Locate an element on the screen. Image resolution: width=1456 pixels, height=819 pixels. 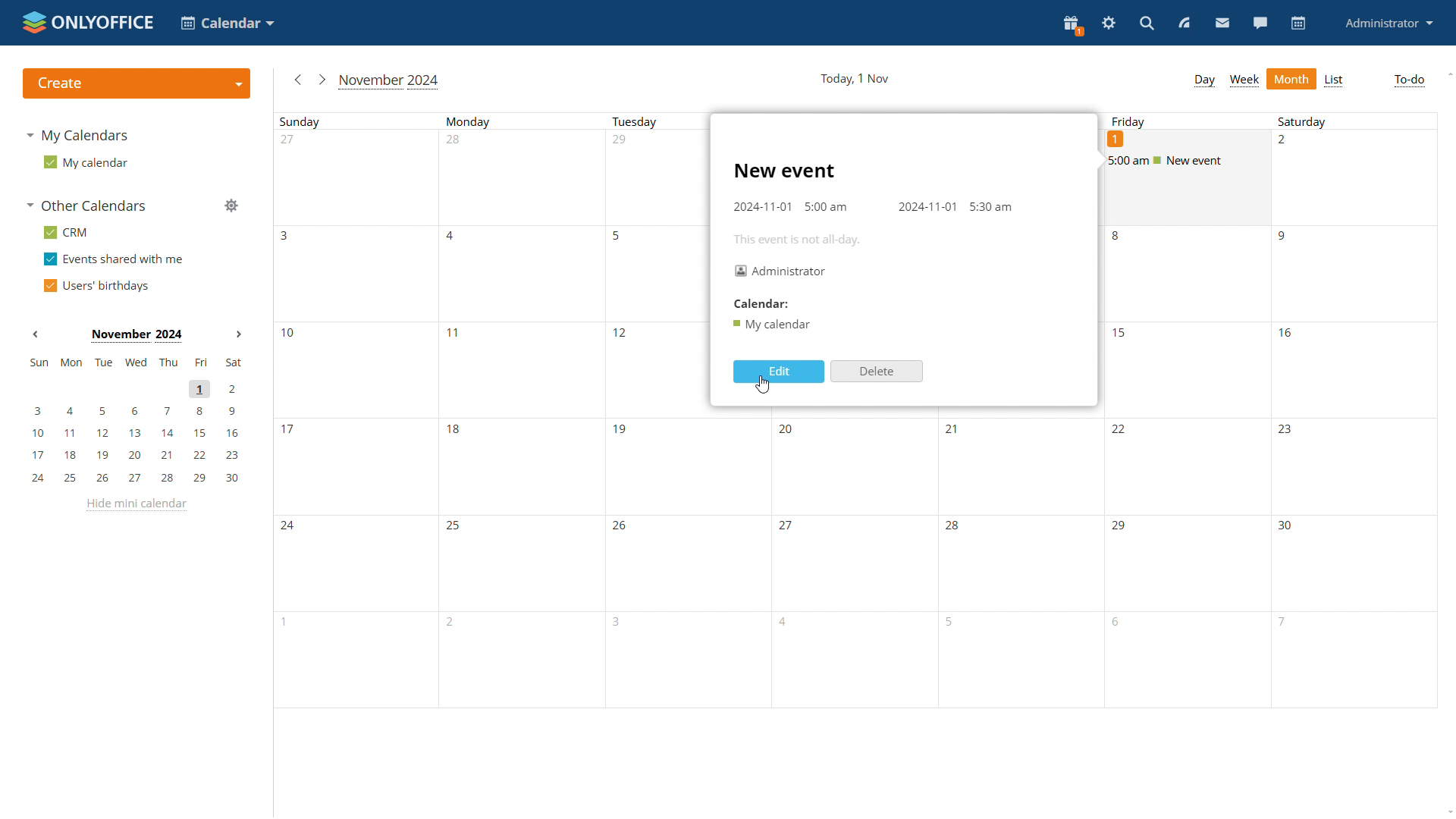
month view is located at coordinates (1291, 78).